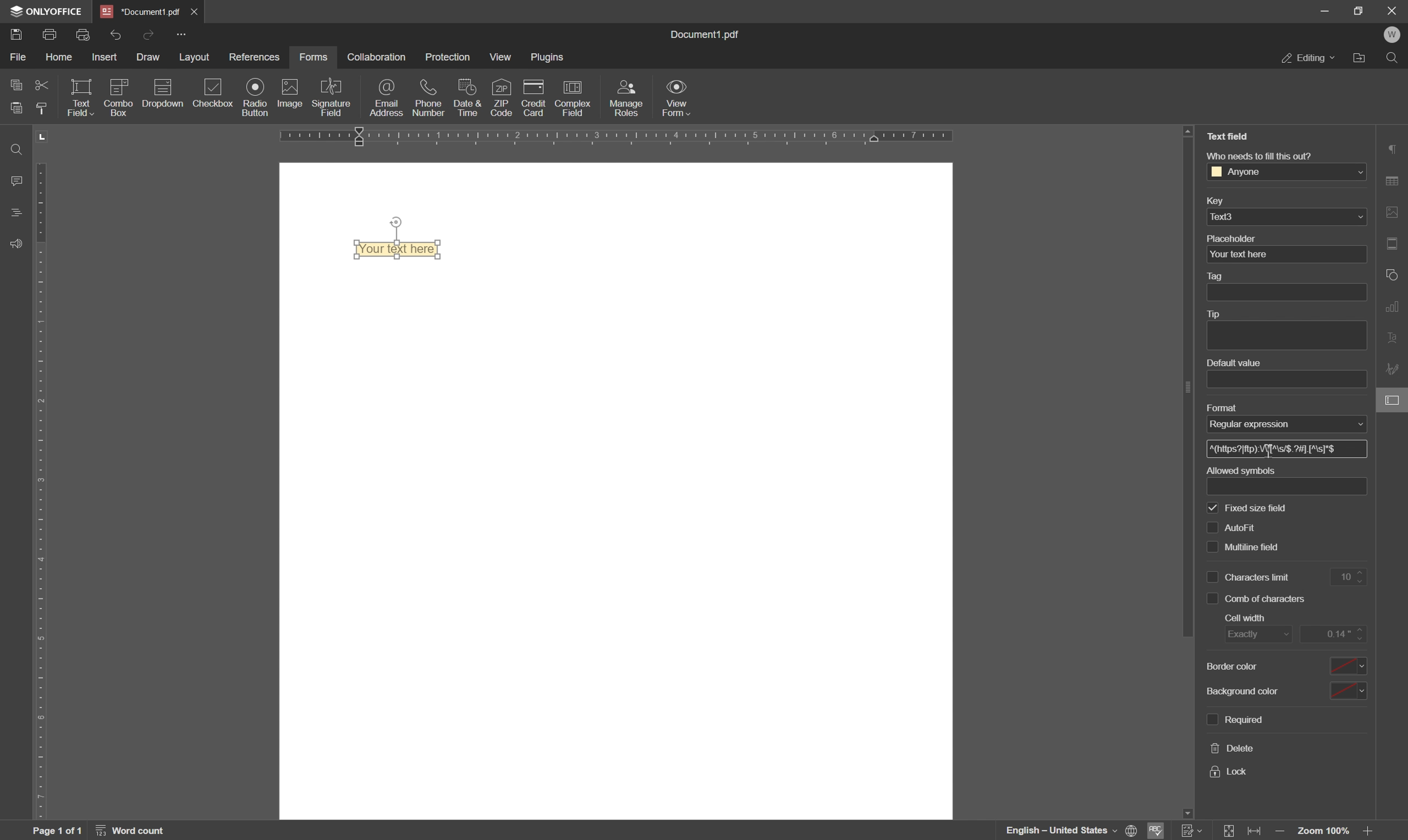  I want to click on , so click(710, 35).